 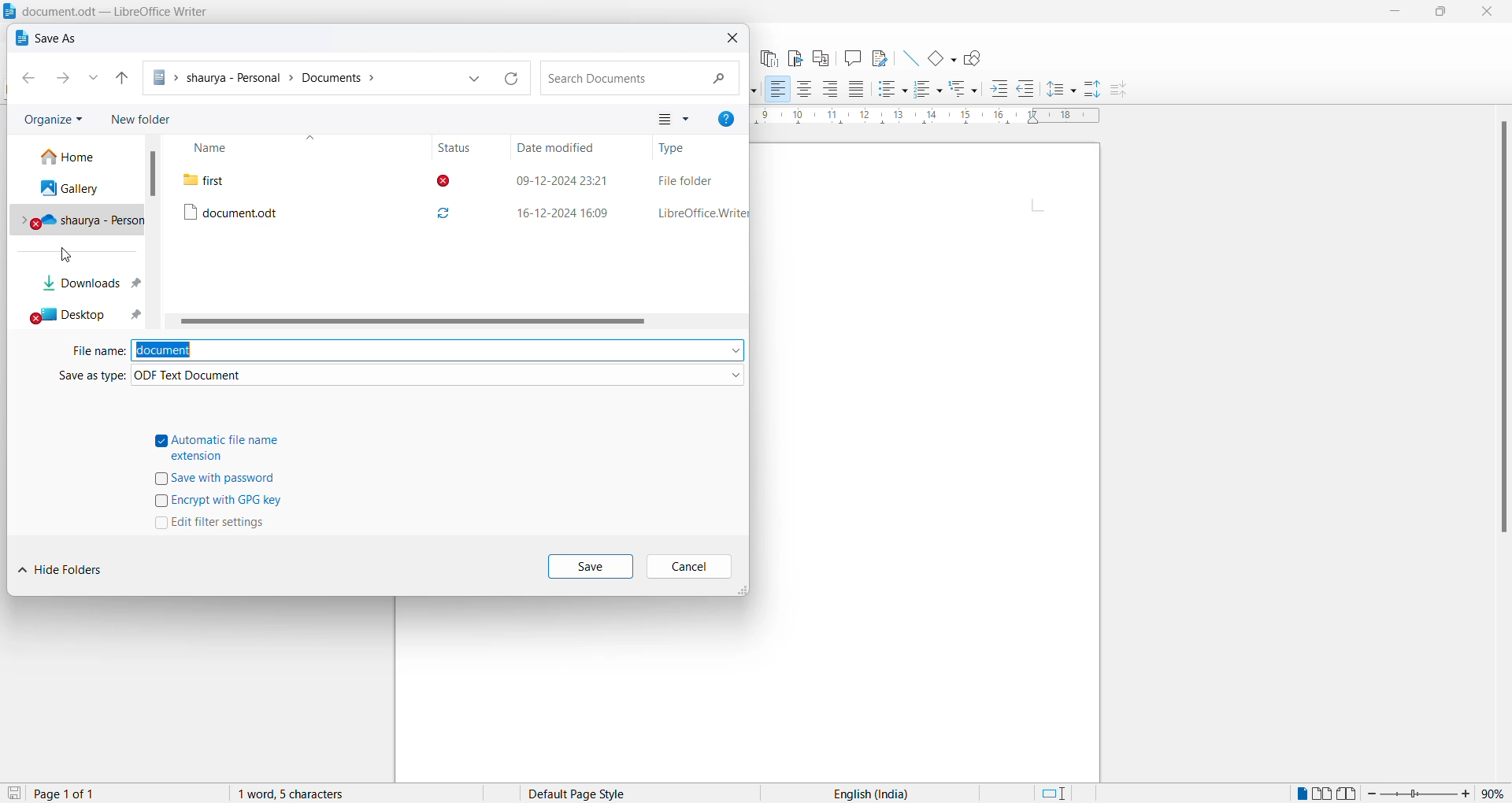 What do you see at coordinates (83, 318) in the screenshot?
I see `Desktop` at bounding box center [83, 318].